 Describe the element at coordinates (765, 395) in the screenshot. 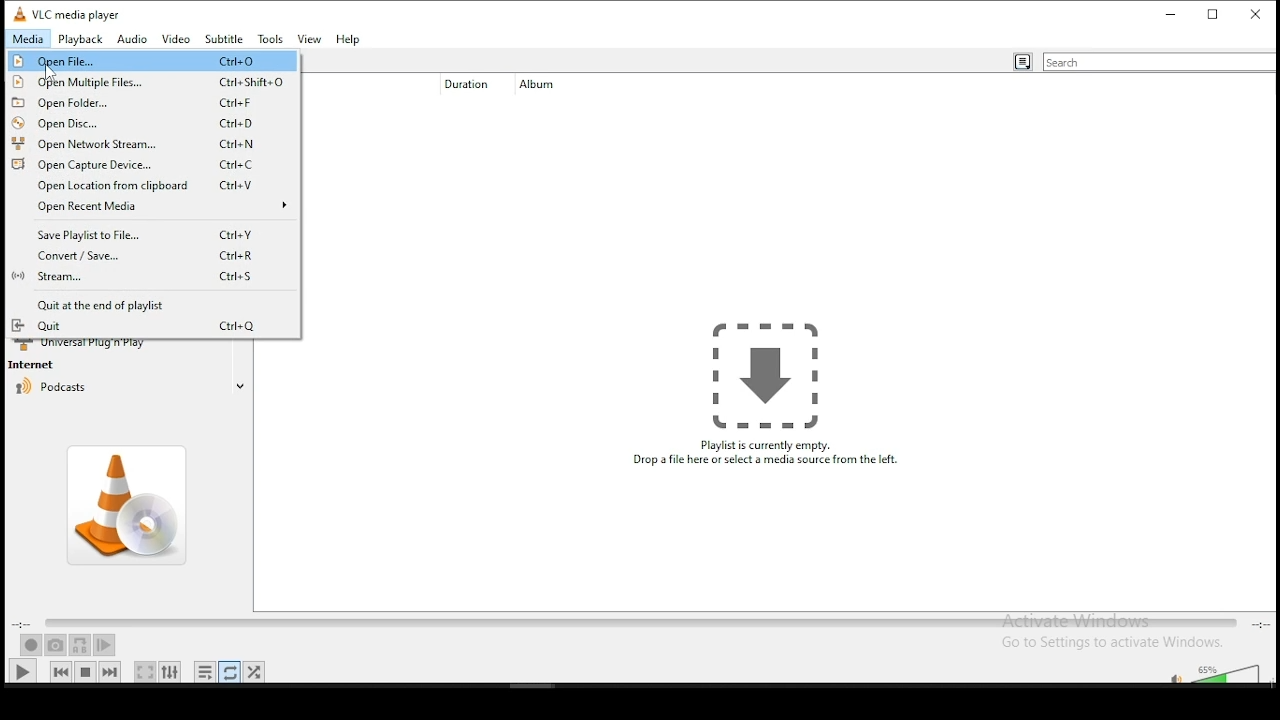

I see `Play list is currently empty. Drop a file here or select a media source from left` at that location.